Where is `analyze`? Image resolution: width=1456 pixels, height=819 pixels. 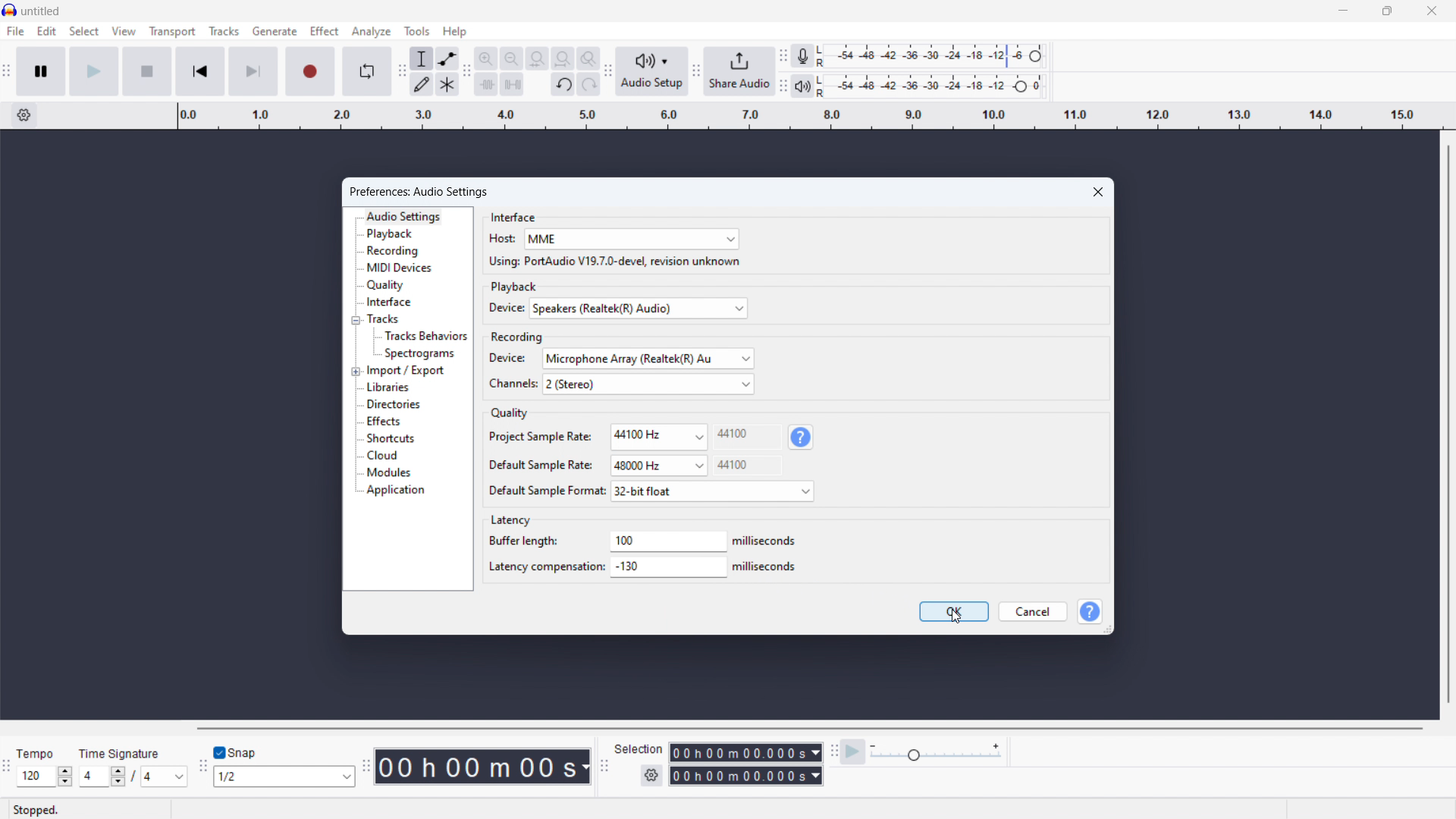
analyze is located at coordinates (371, 31).